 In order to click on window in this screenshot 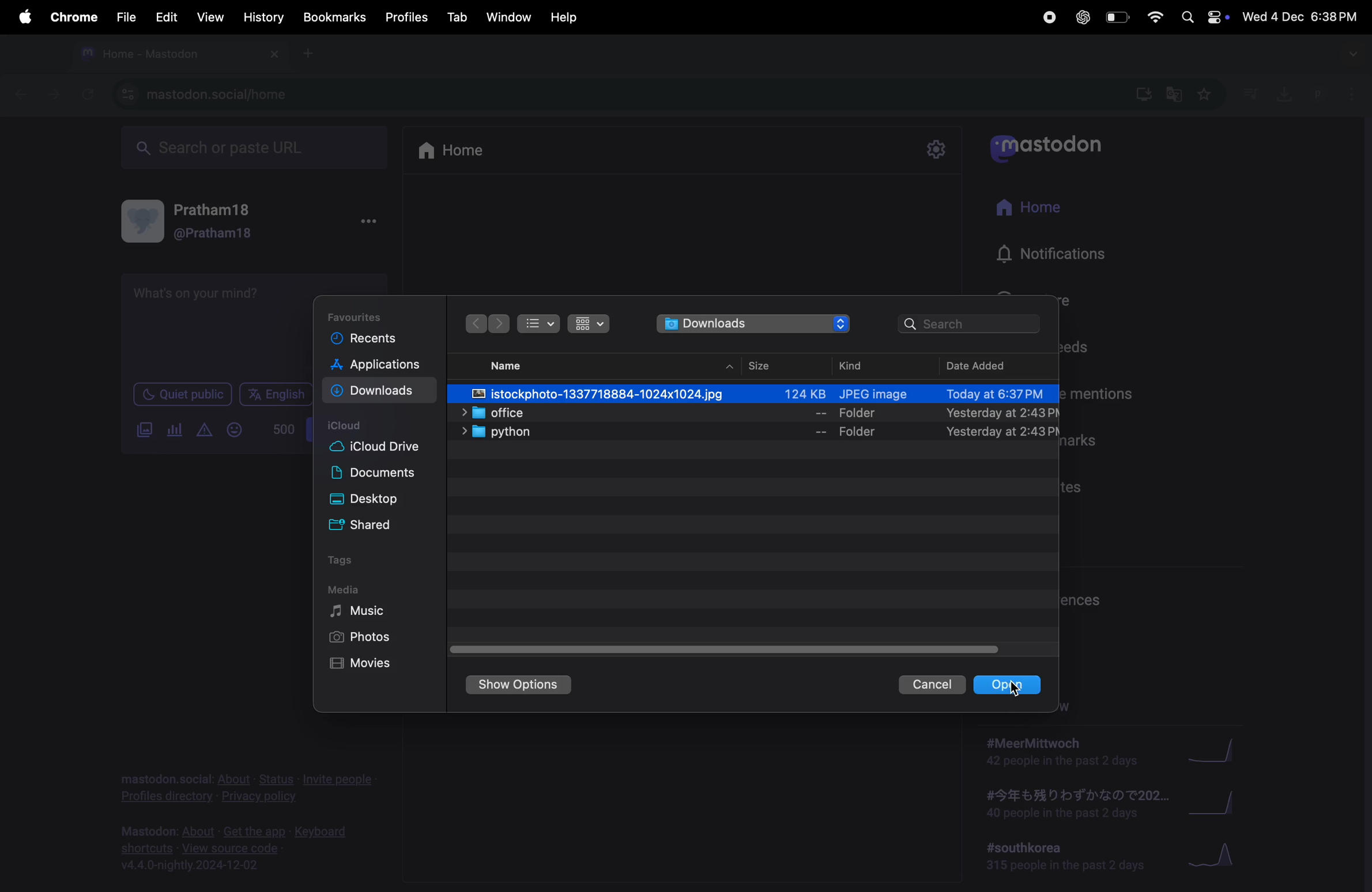, I will do `click(511, 16)`.